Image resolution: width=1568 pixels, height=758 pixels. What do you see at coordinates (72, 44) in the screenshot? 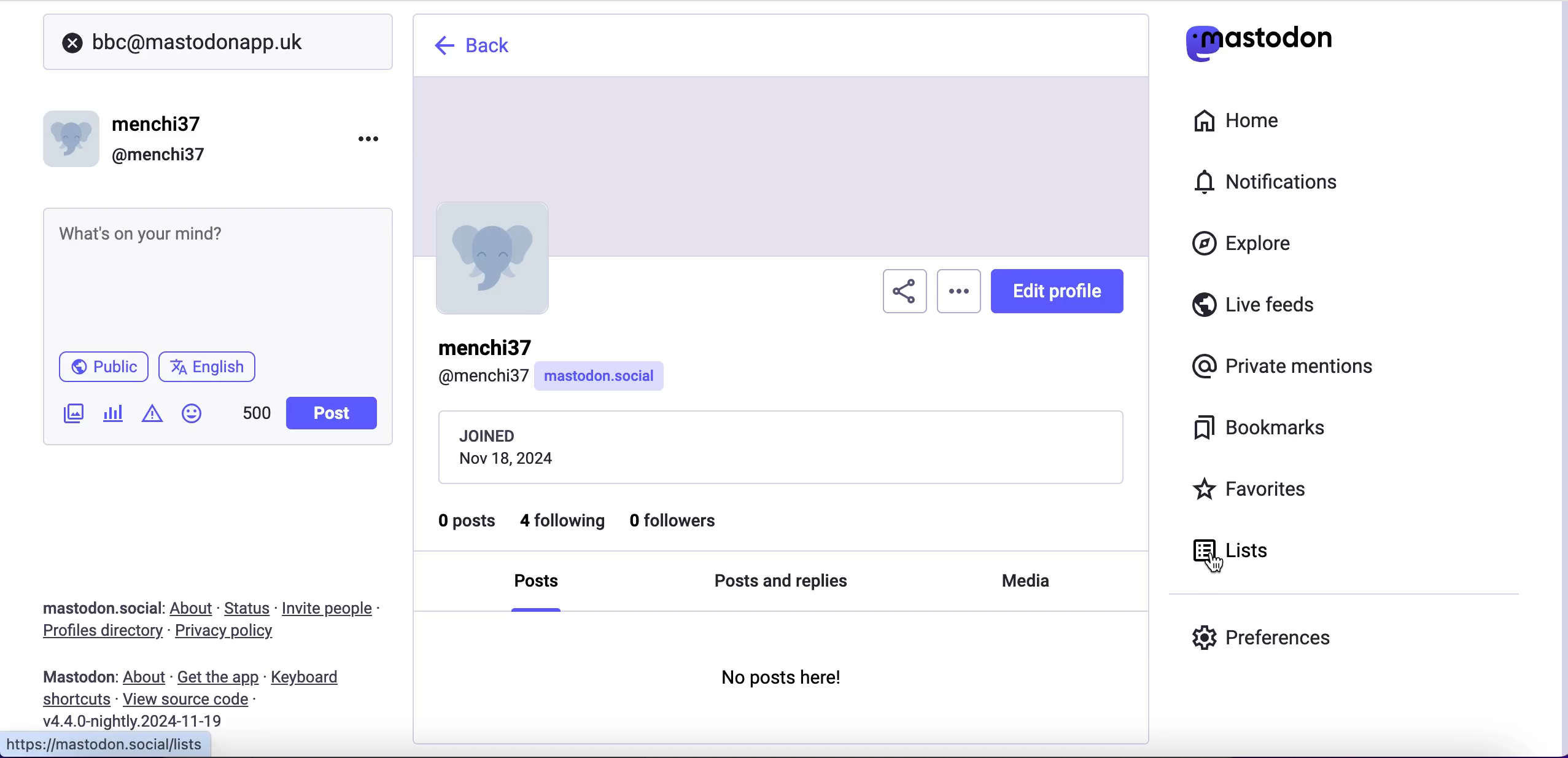
I see `close` at bounding box center [72, 44].